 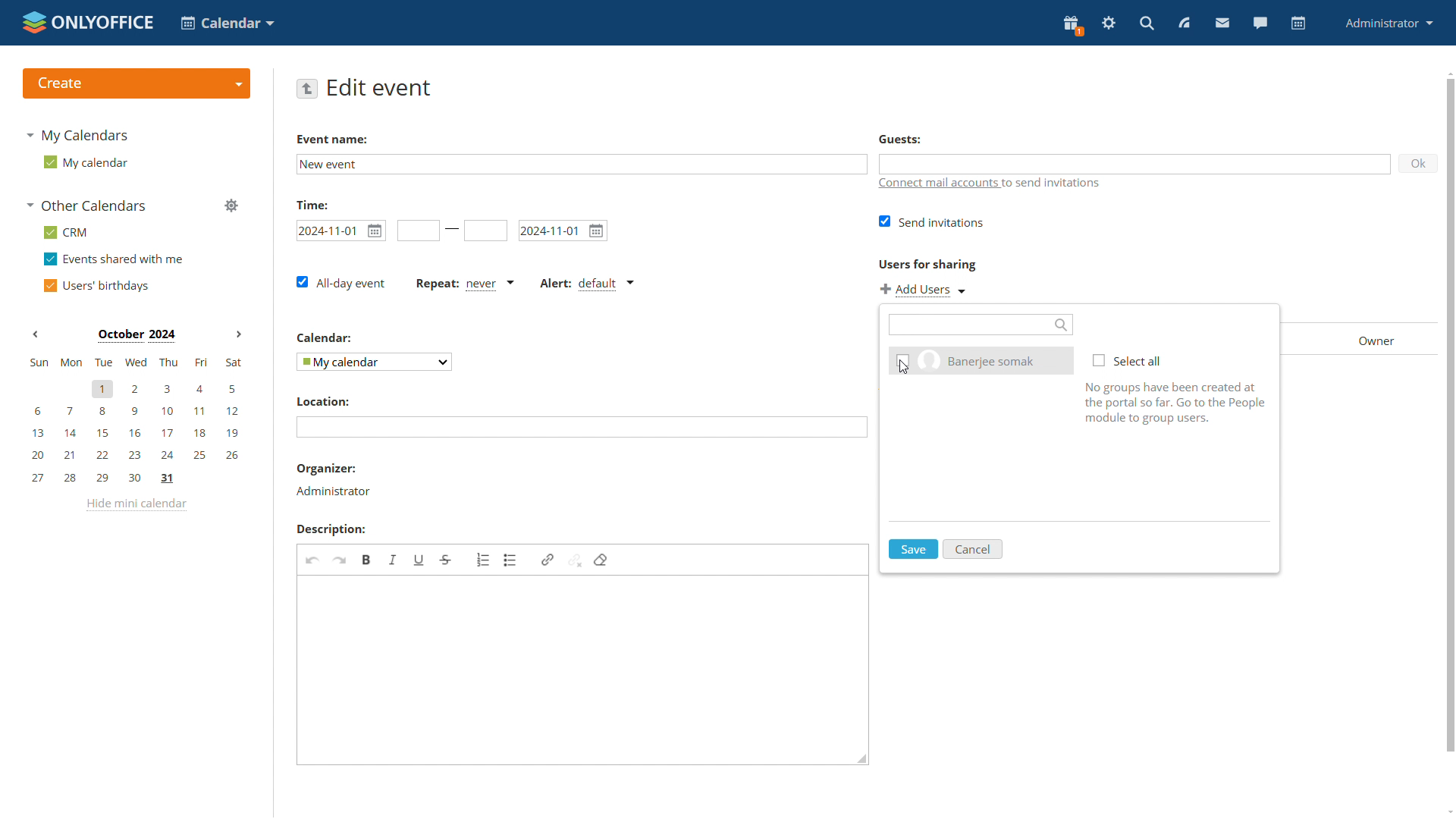 I want to click on start date, so click(x=339, y=231).